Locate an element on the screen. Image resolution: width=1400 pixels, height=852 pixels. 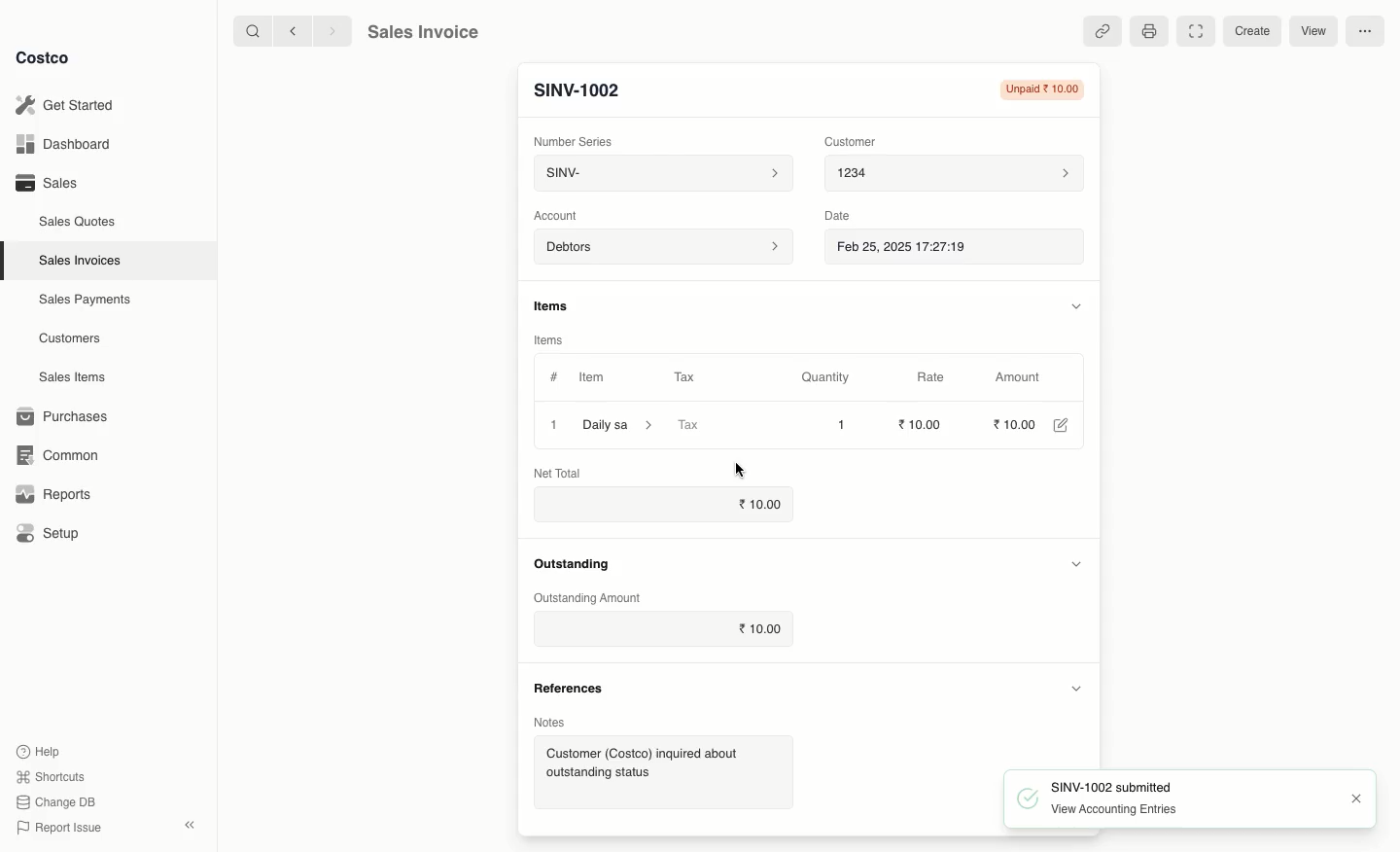
10.00 is located at coordinates (762, 630).